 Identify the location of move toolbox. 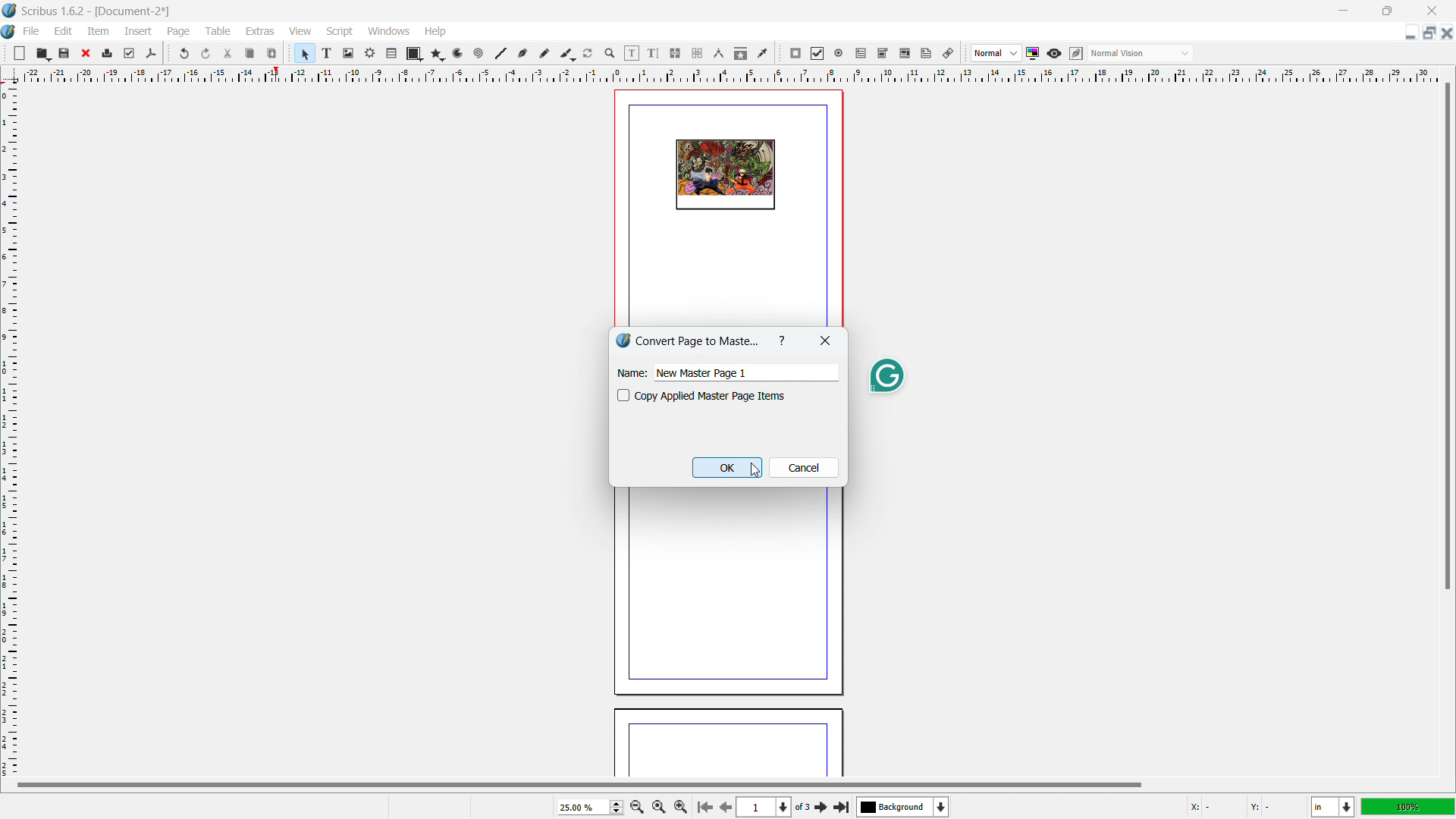
(780, 54).